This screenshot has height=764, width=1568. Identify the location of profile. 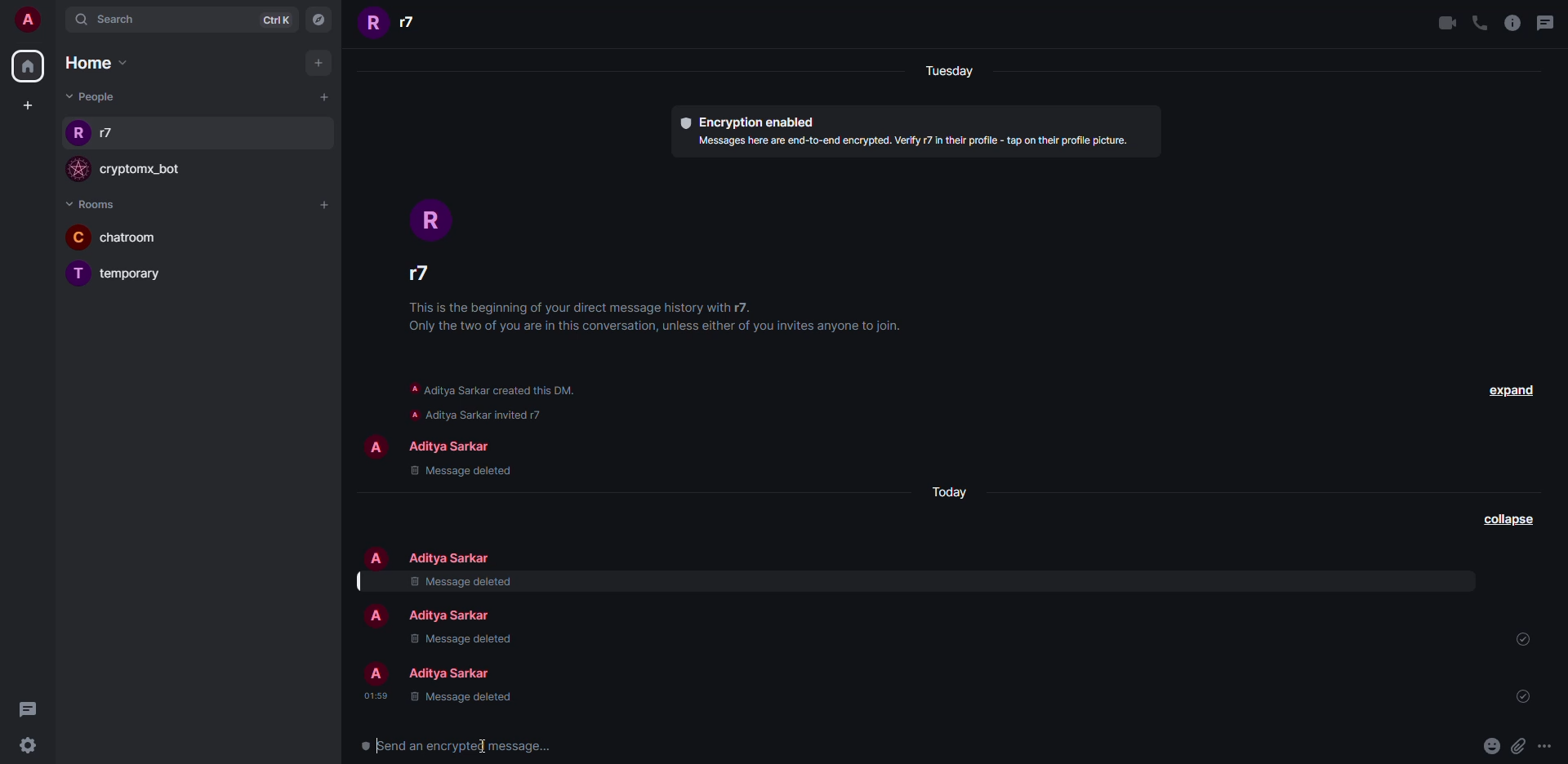
(377, 617).